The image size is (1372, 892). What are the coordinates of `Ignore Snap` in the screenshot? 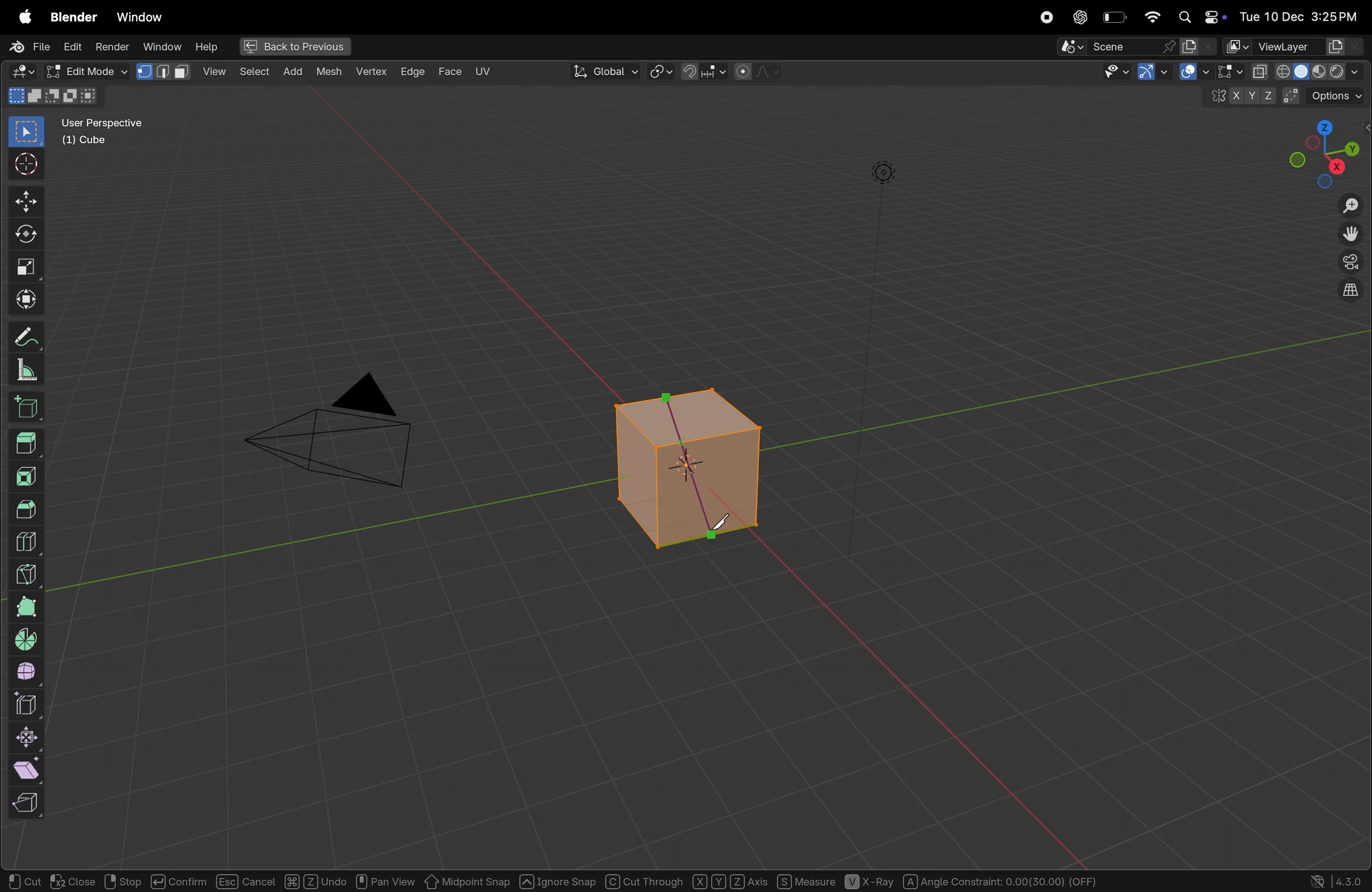 It's located at (557, 880).